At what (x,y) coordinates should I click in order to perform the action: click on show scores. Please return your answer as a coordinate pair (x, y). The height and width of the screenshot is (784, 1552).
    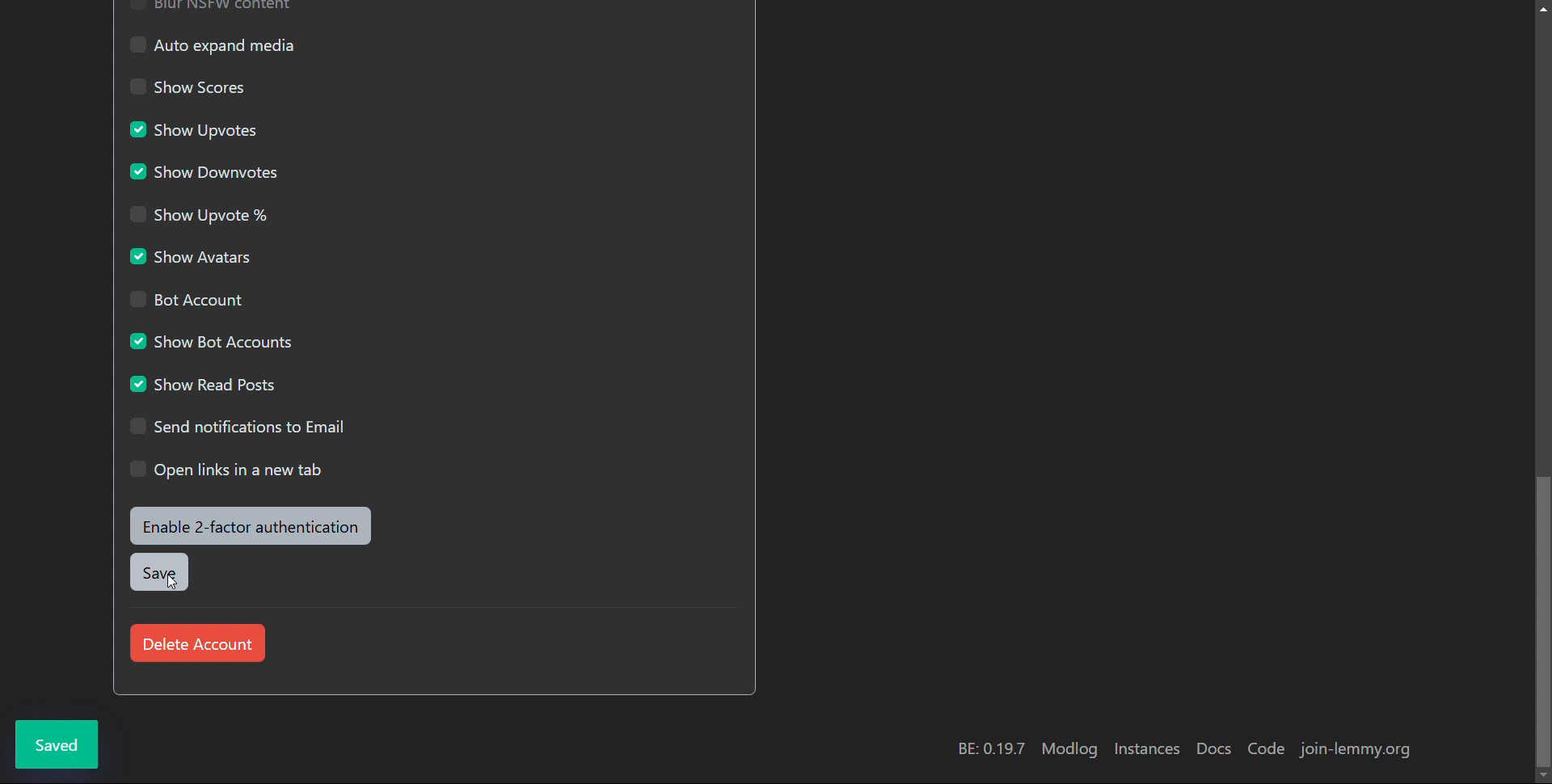
    Looking at the image, I should click on (193, 85).